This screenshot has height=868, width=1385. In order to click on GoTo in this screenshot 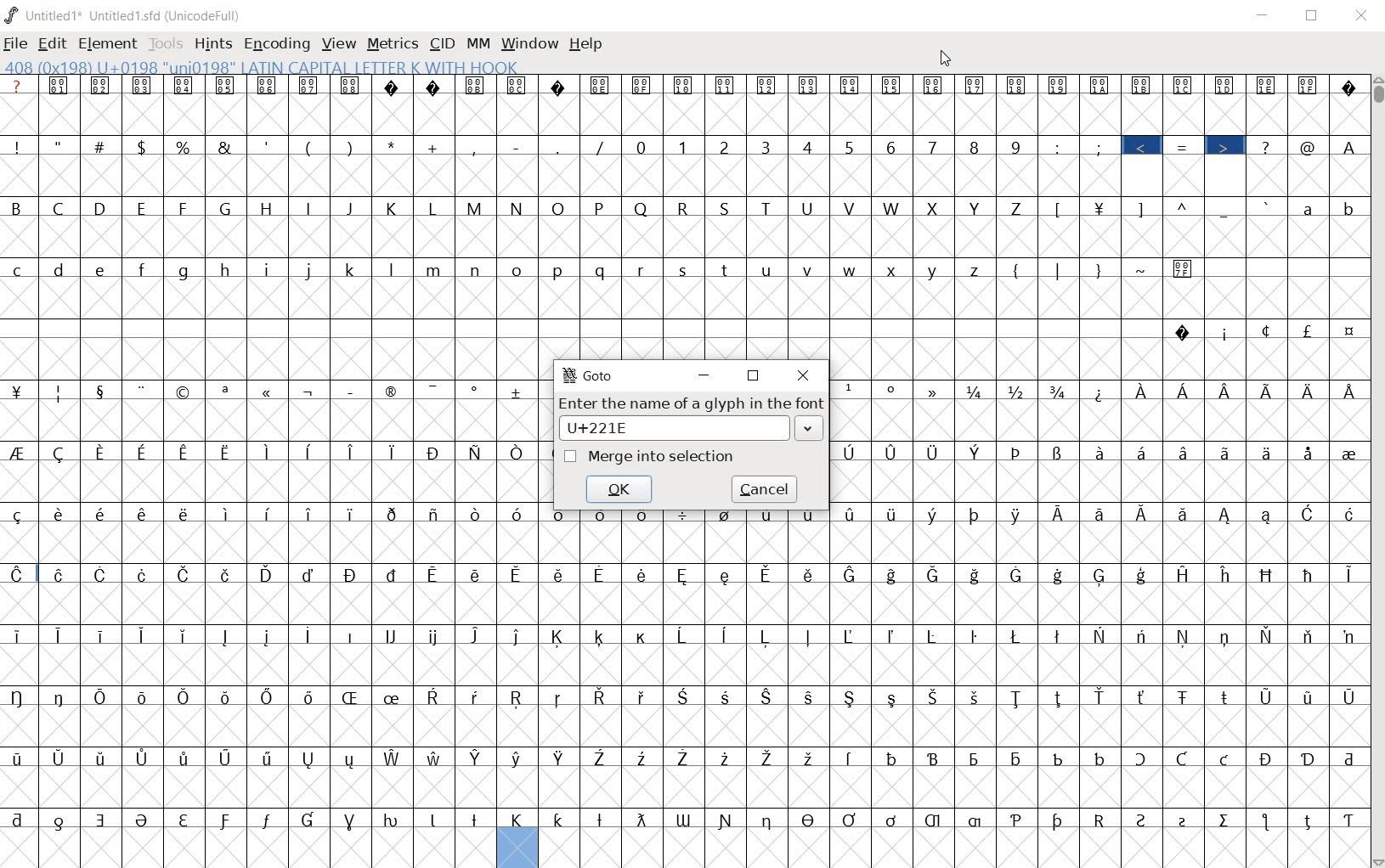, I will do `click(588, 375)`.